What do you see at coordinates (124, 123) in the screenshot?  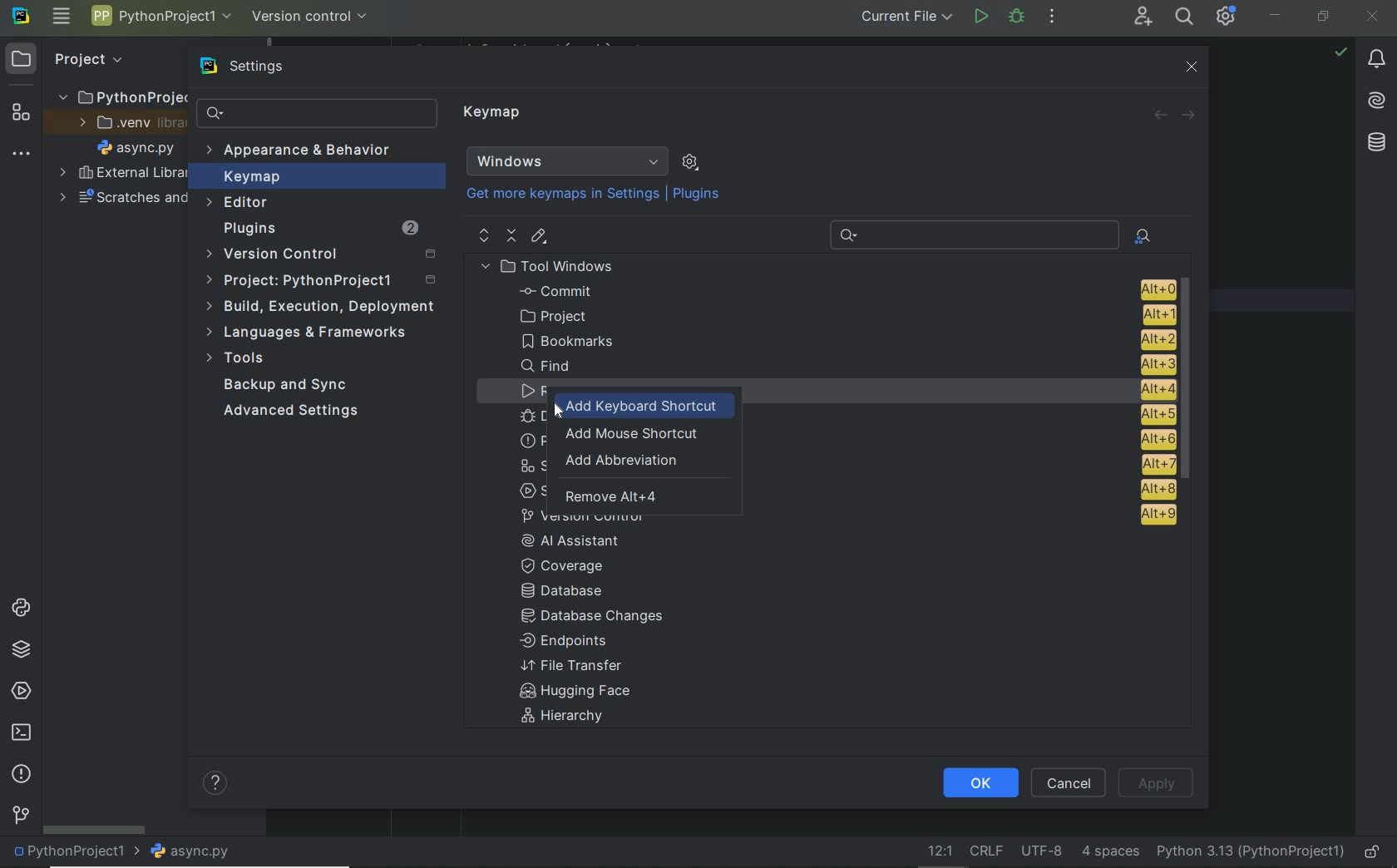 I see `.venv` at bounding box center [124, 123].